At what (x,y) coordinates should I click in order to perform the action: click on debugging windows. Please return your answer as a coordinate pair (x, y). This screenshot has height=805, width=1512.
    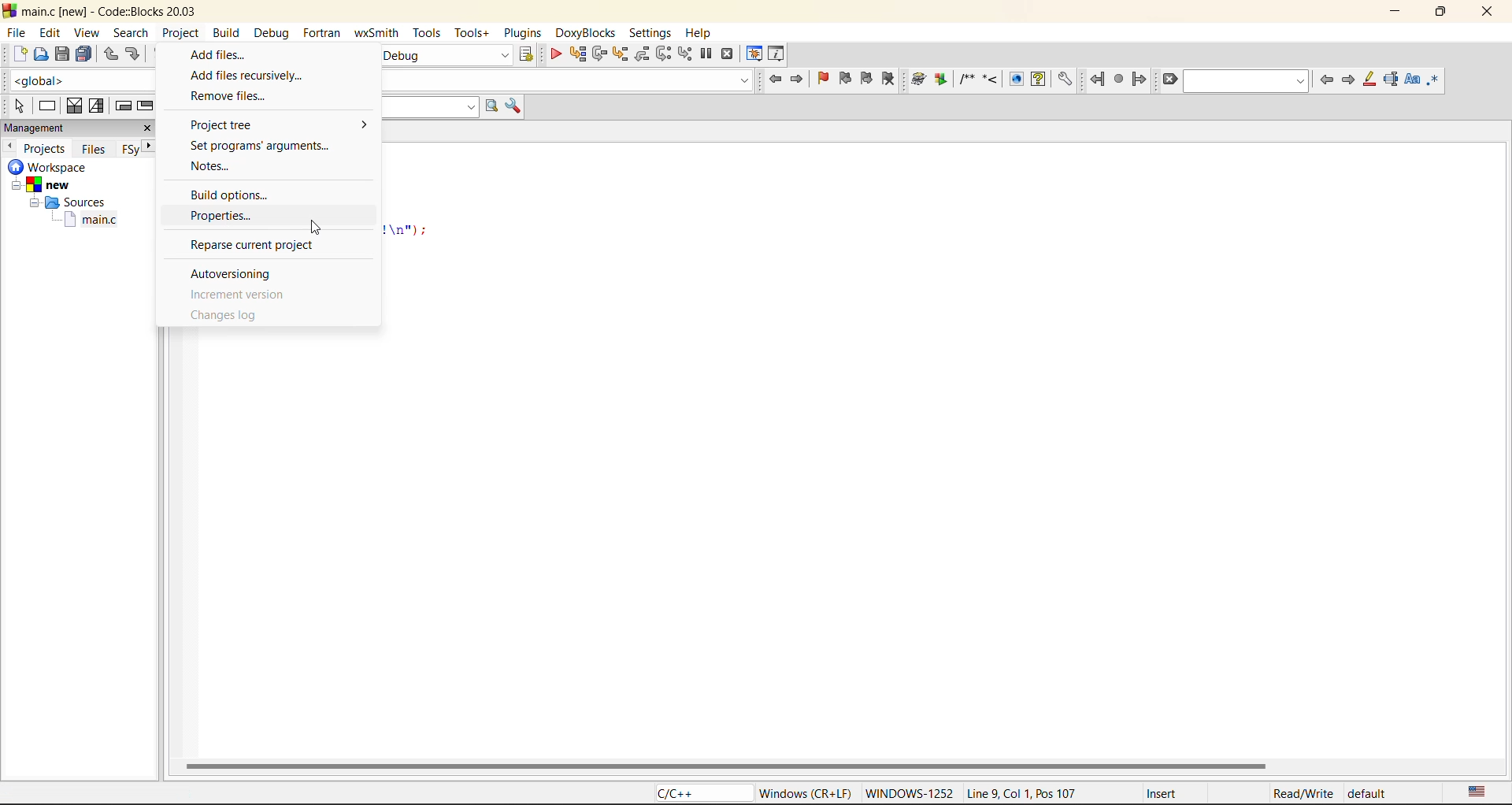
    Looking at the image, I should click on (754, 54).